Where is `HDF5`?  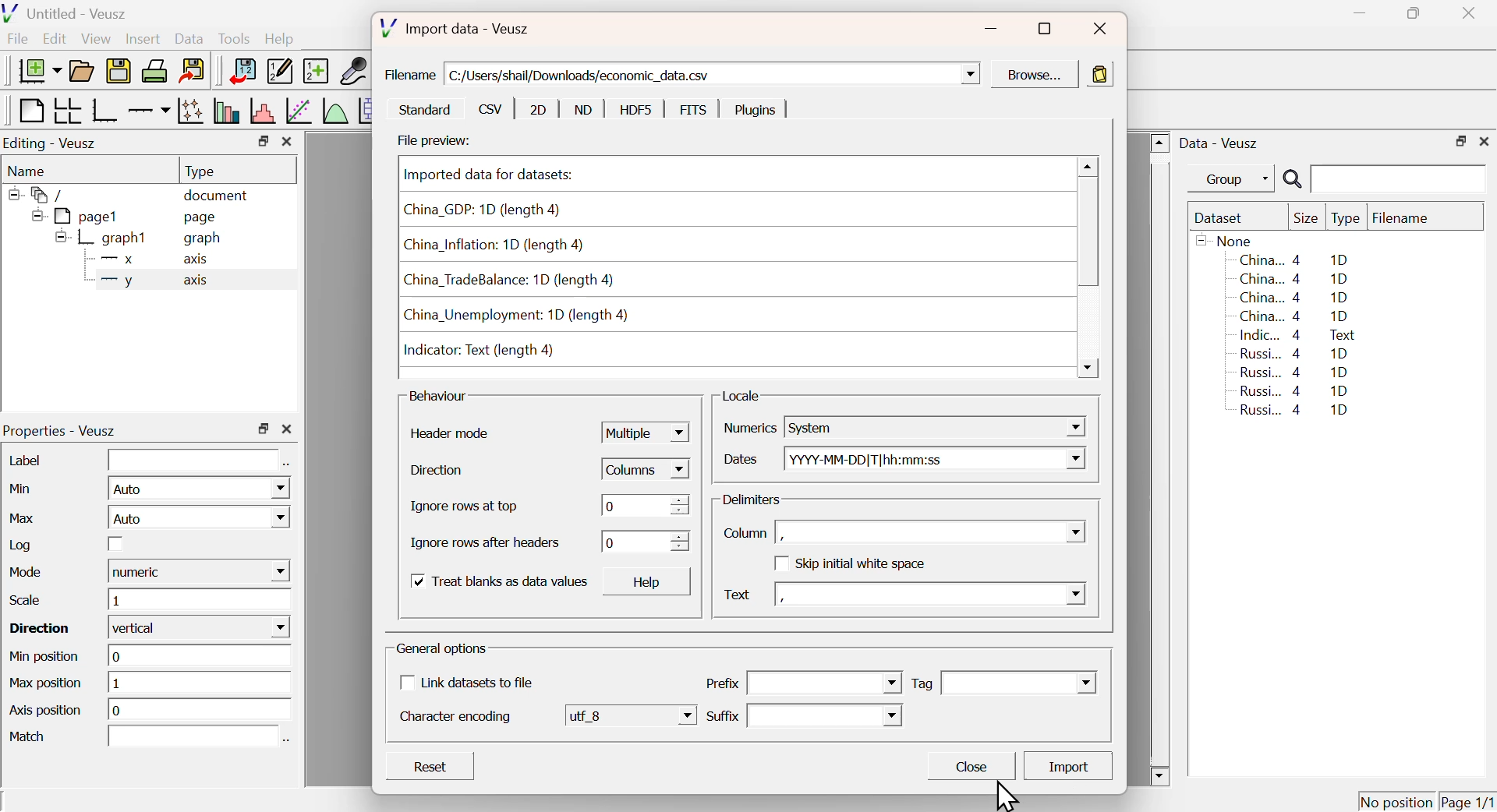
HDF5 is located at coordinates (632, 110).